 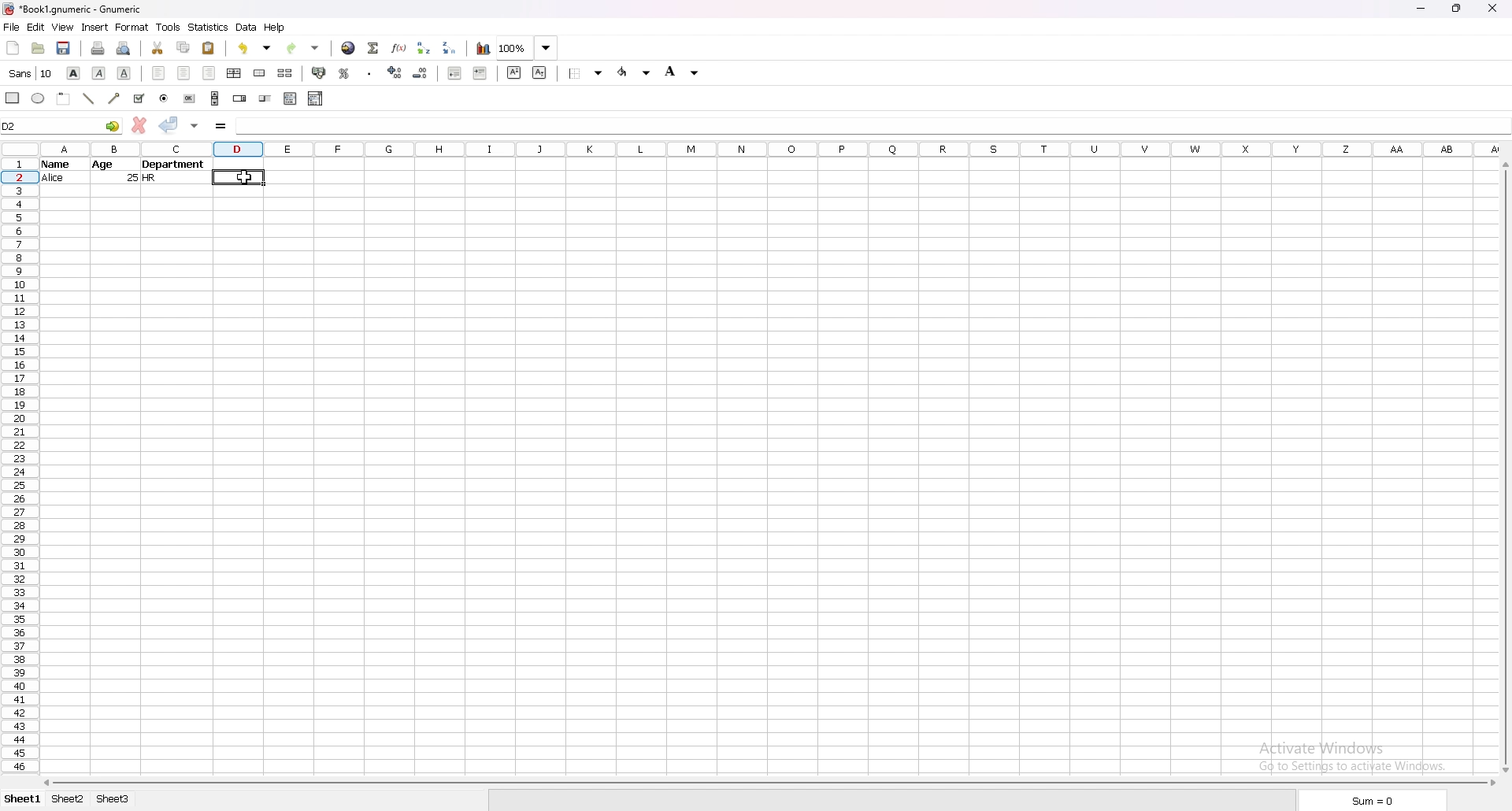 I want to click on data, so click(x=127, y=170).